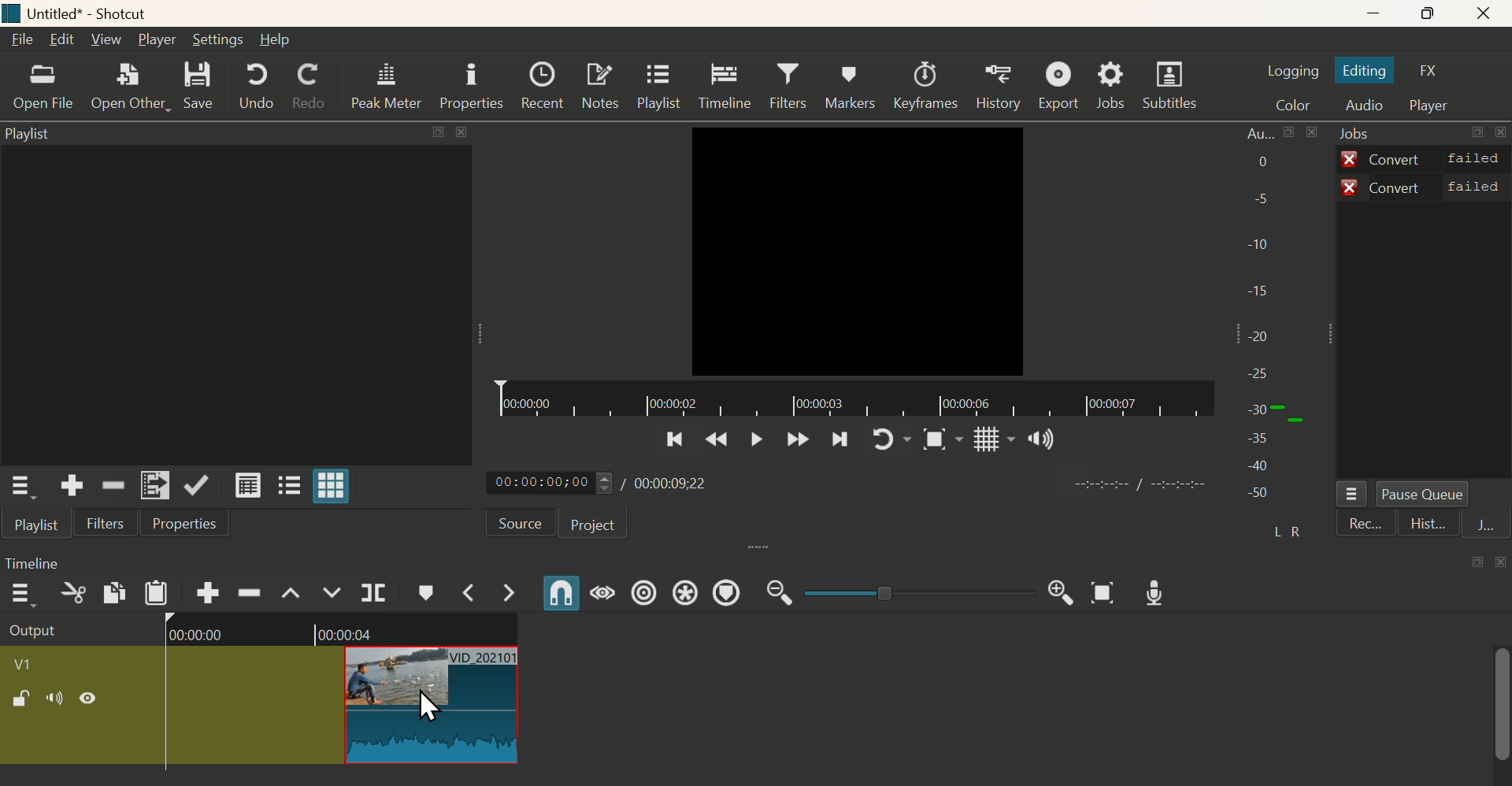  I want to click on Split at Playhead, so click(372, 595).